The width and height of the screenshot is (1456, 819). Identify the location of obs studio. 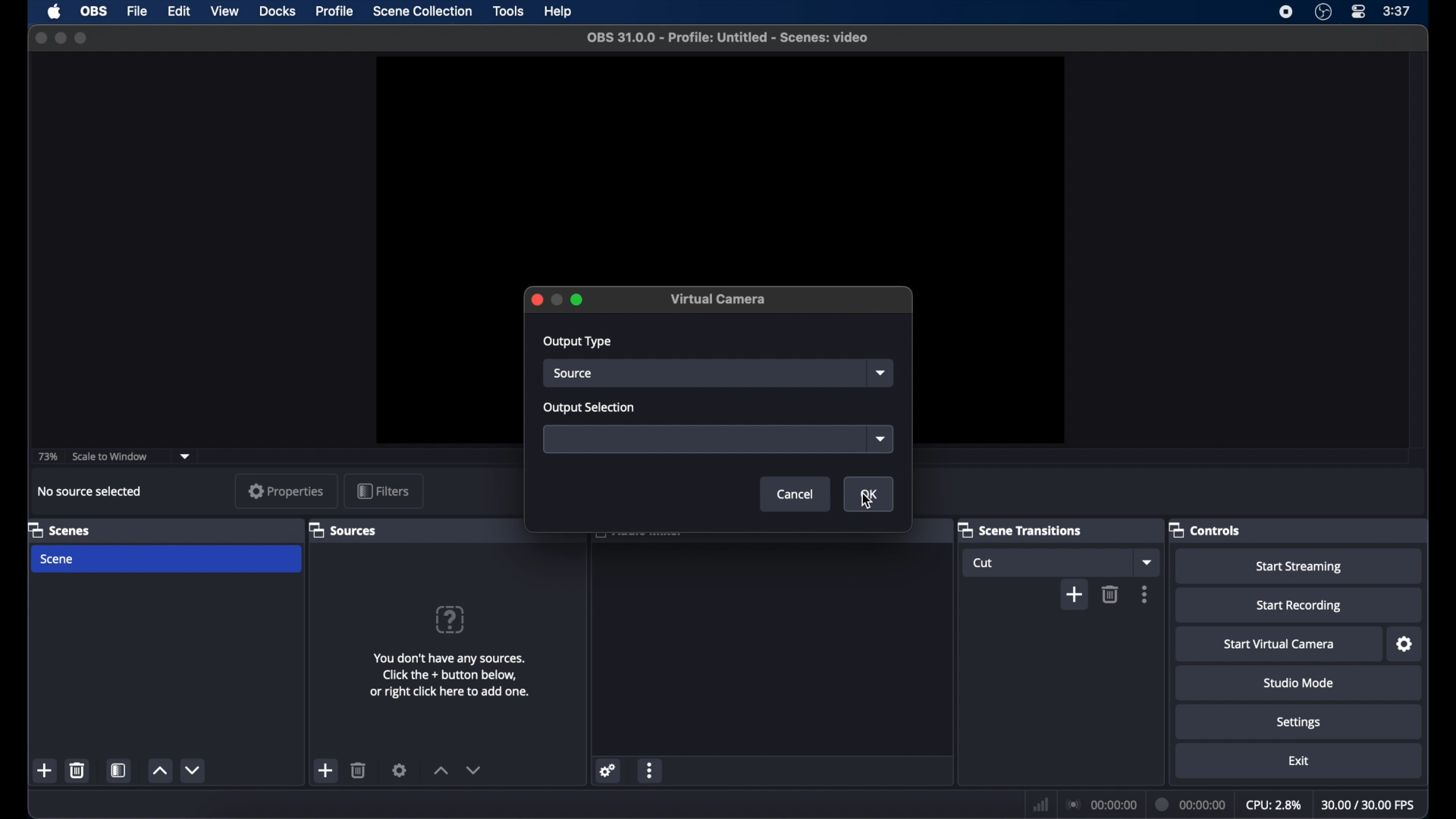
(1323, 12).